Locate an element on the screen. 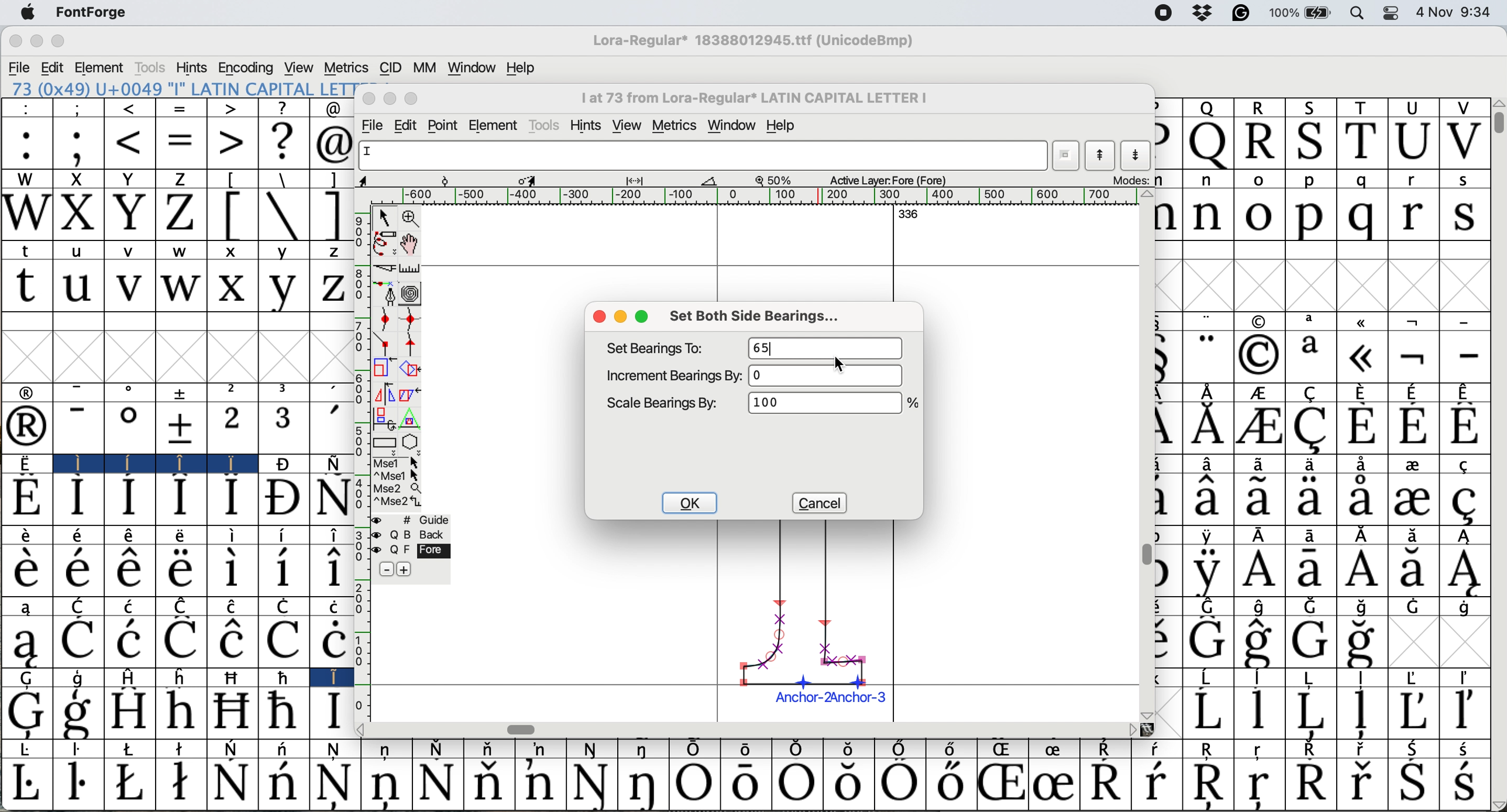 This screenshot has height=812, width=1507. Symbol is located at coordinates (1414, 465).